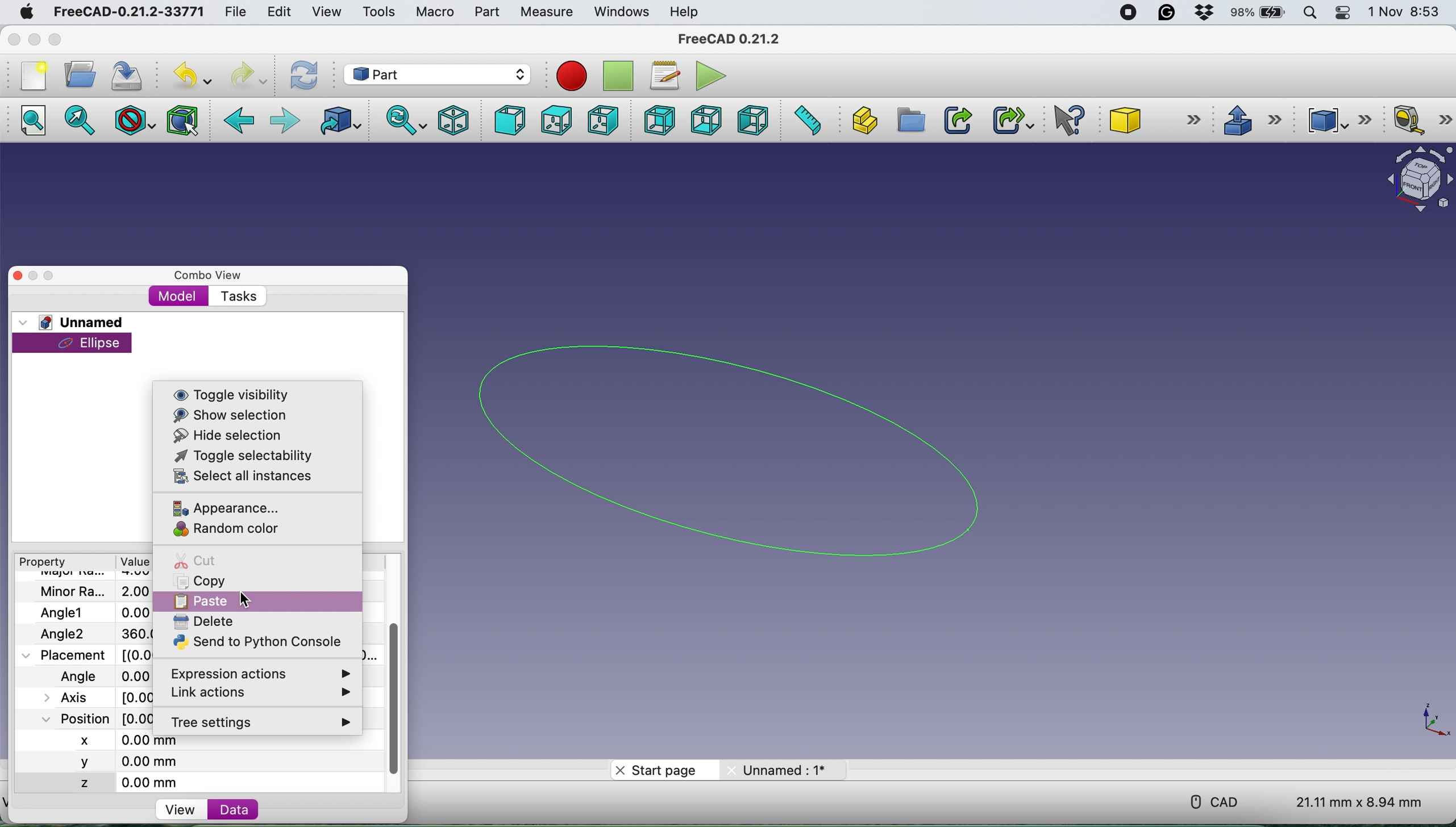 The image size is (1456, 827). I want to click on draw style, so click(132, 120).